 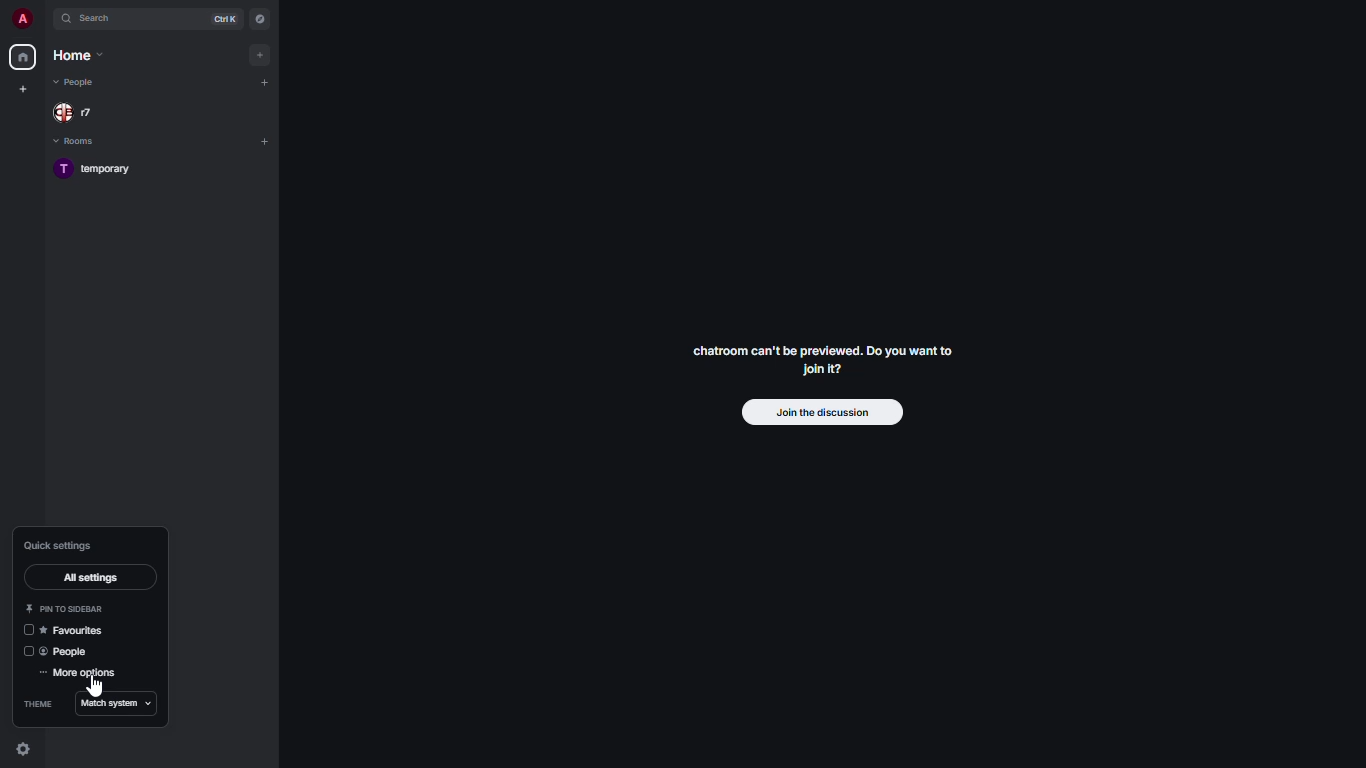 I want to click on home, so click(x=25, y=57).